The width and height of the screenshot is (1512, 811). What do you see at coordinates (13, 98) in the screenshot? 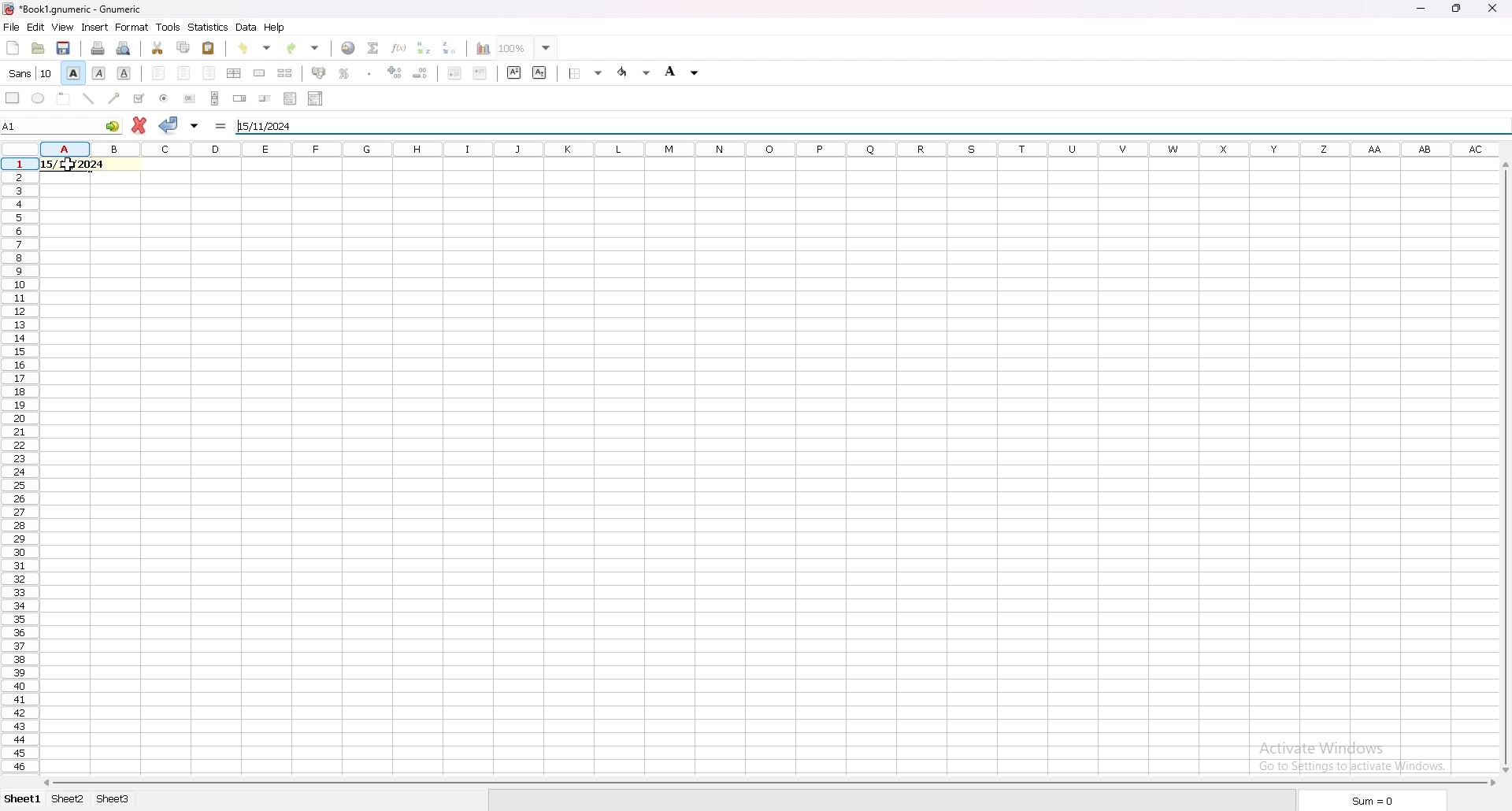
I see `rectangle` at bounding box center [13, 98].